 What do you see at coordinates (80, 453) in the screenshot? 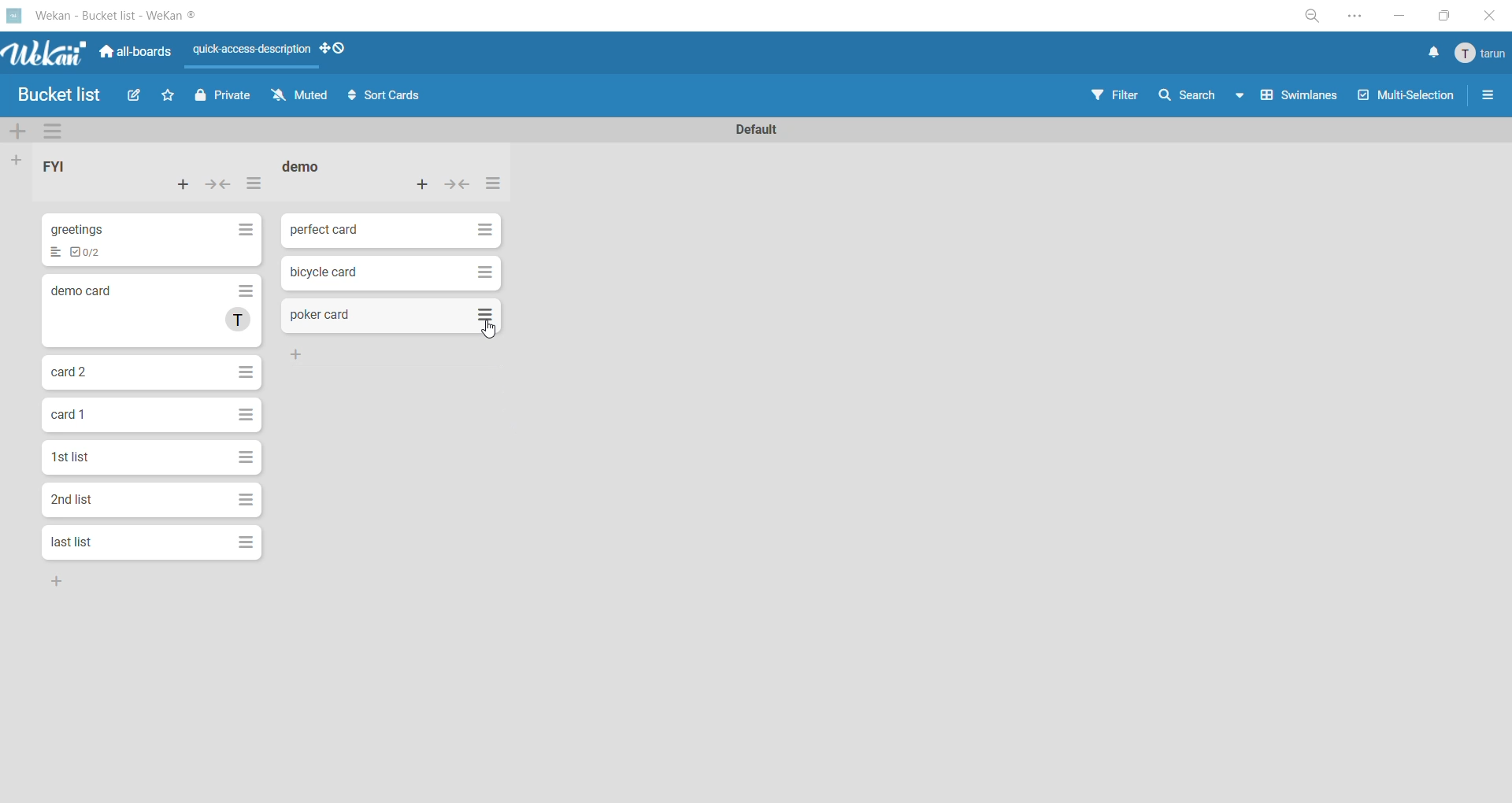
I see `1st list` at bounding box center [80, 453].